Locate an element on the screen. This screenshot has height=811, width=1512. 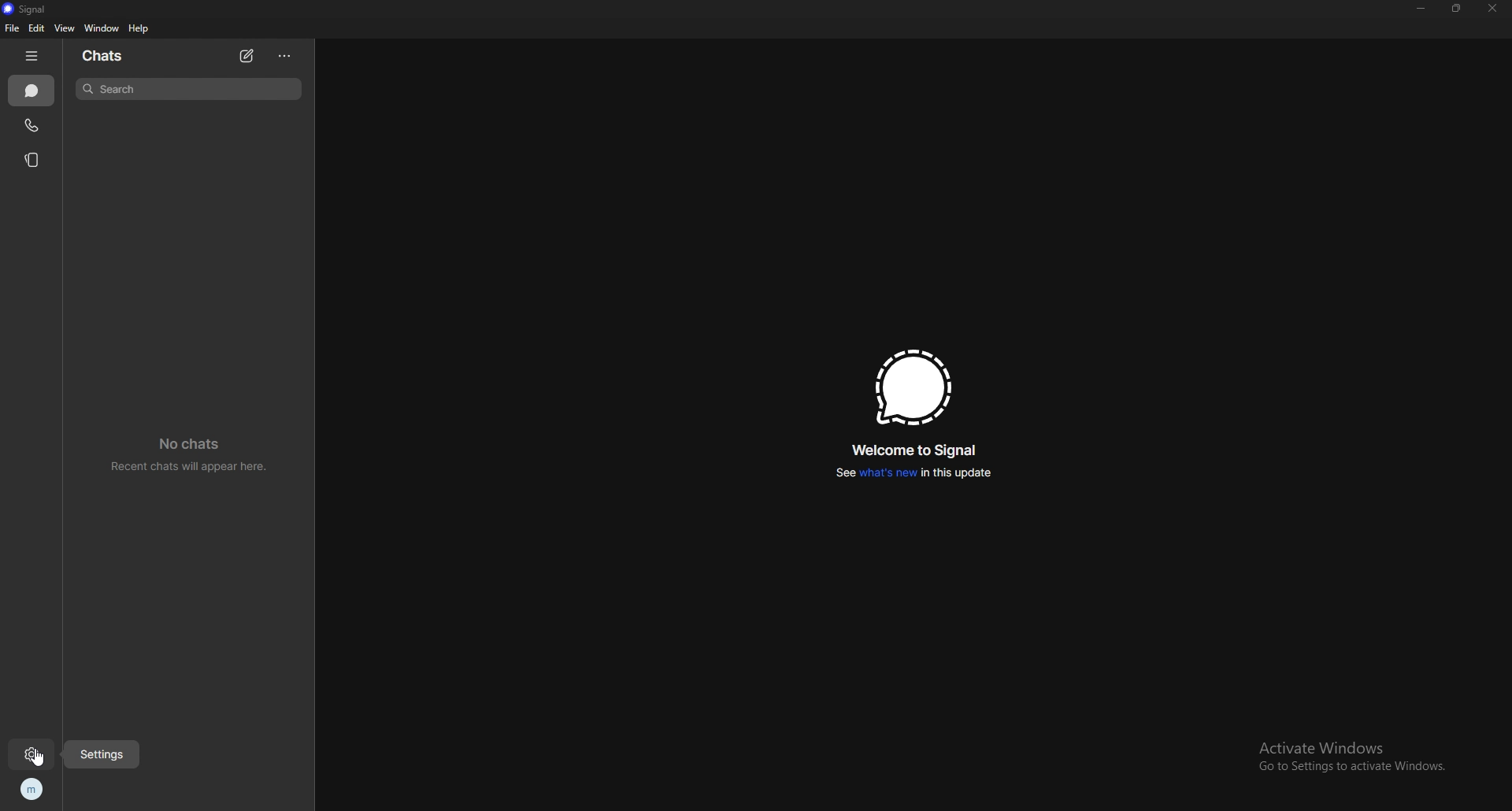
help is located at coordinates (139, 28).